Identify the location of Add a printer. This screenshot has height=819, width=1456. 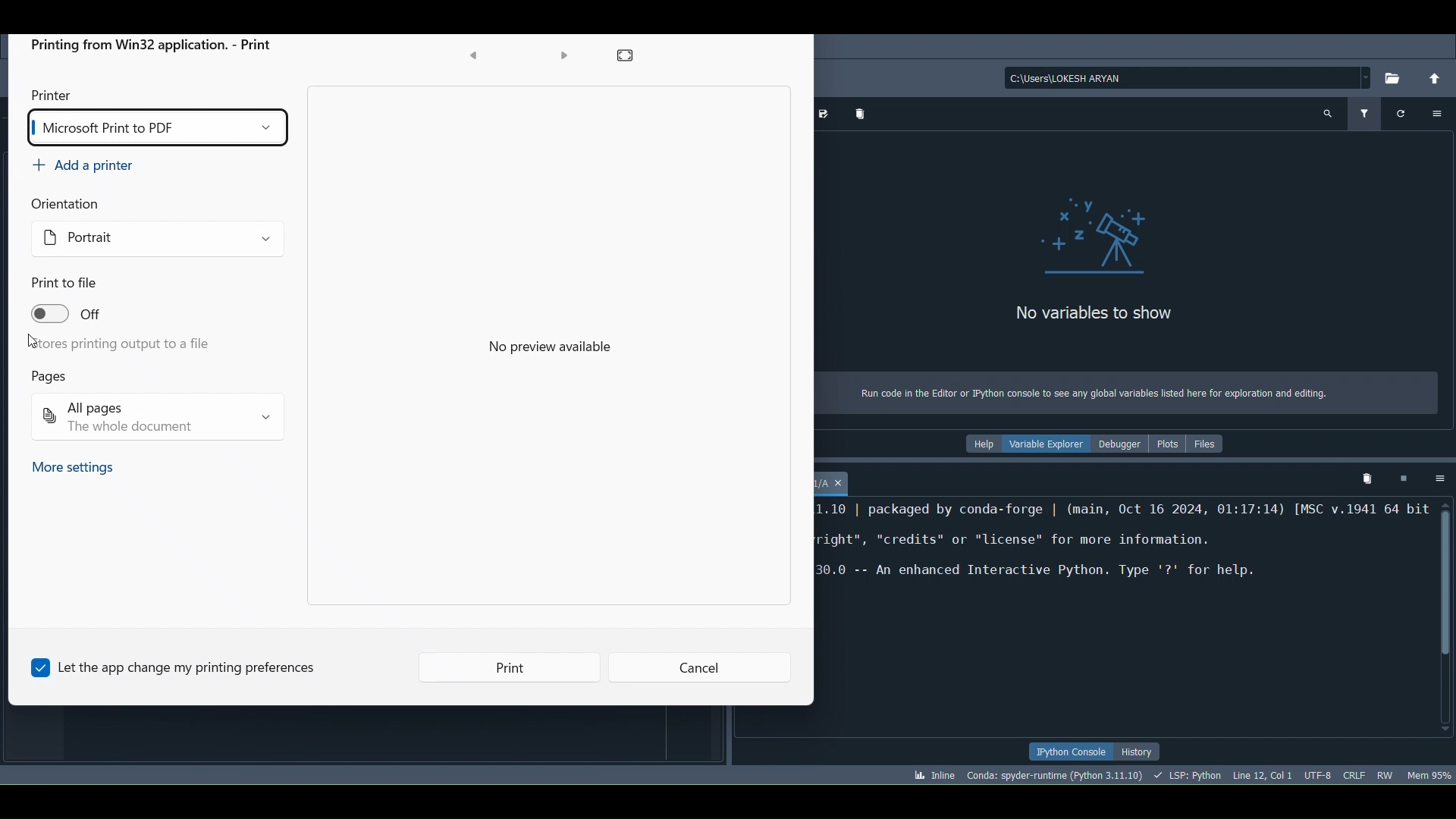
(80, 164).